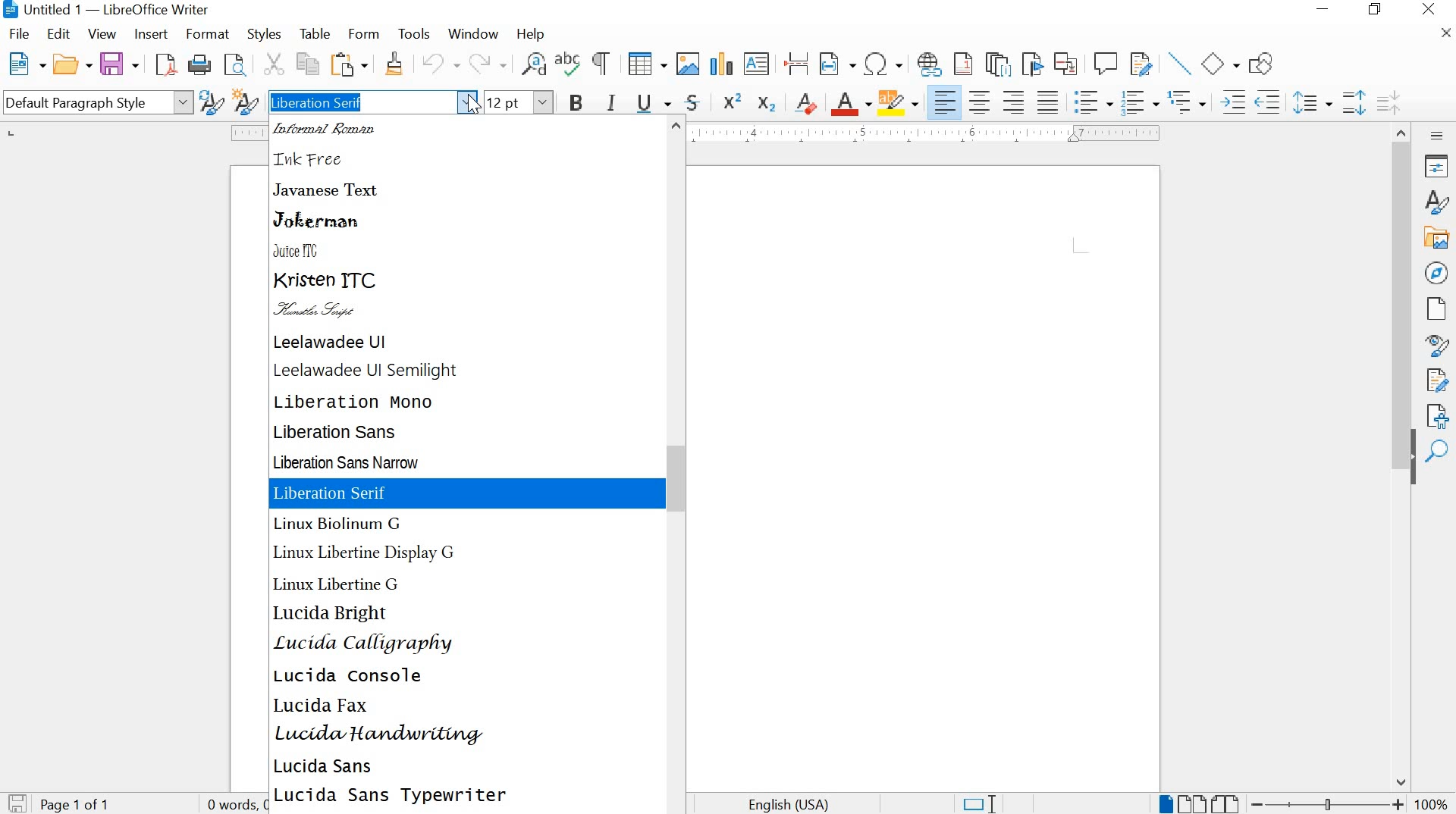 The width and height of the screenshot is (1456, 814). I want to click on SAVE, so click(118, 64).